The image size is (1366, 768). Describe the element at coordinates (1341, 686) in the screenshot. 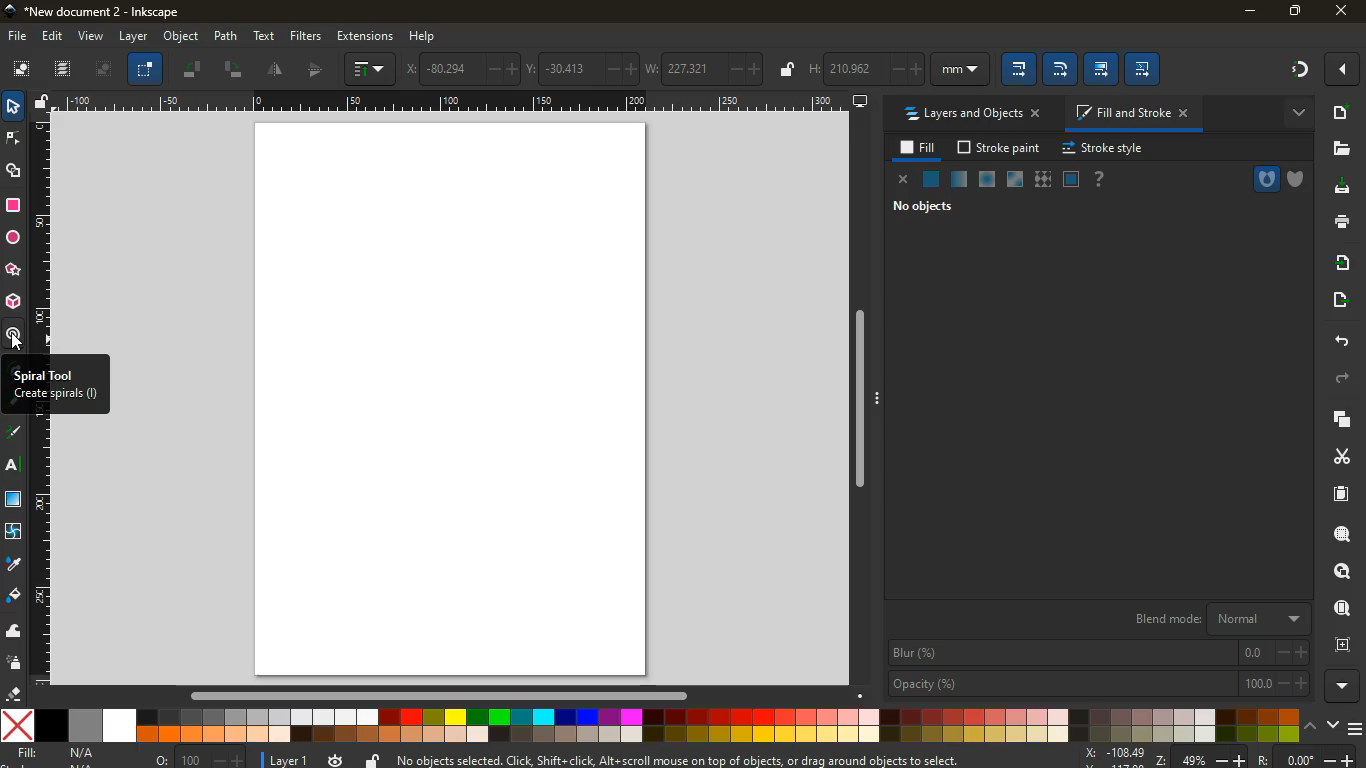

I see `more` at that location.